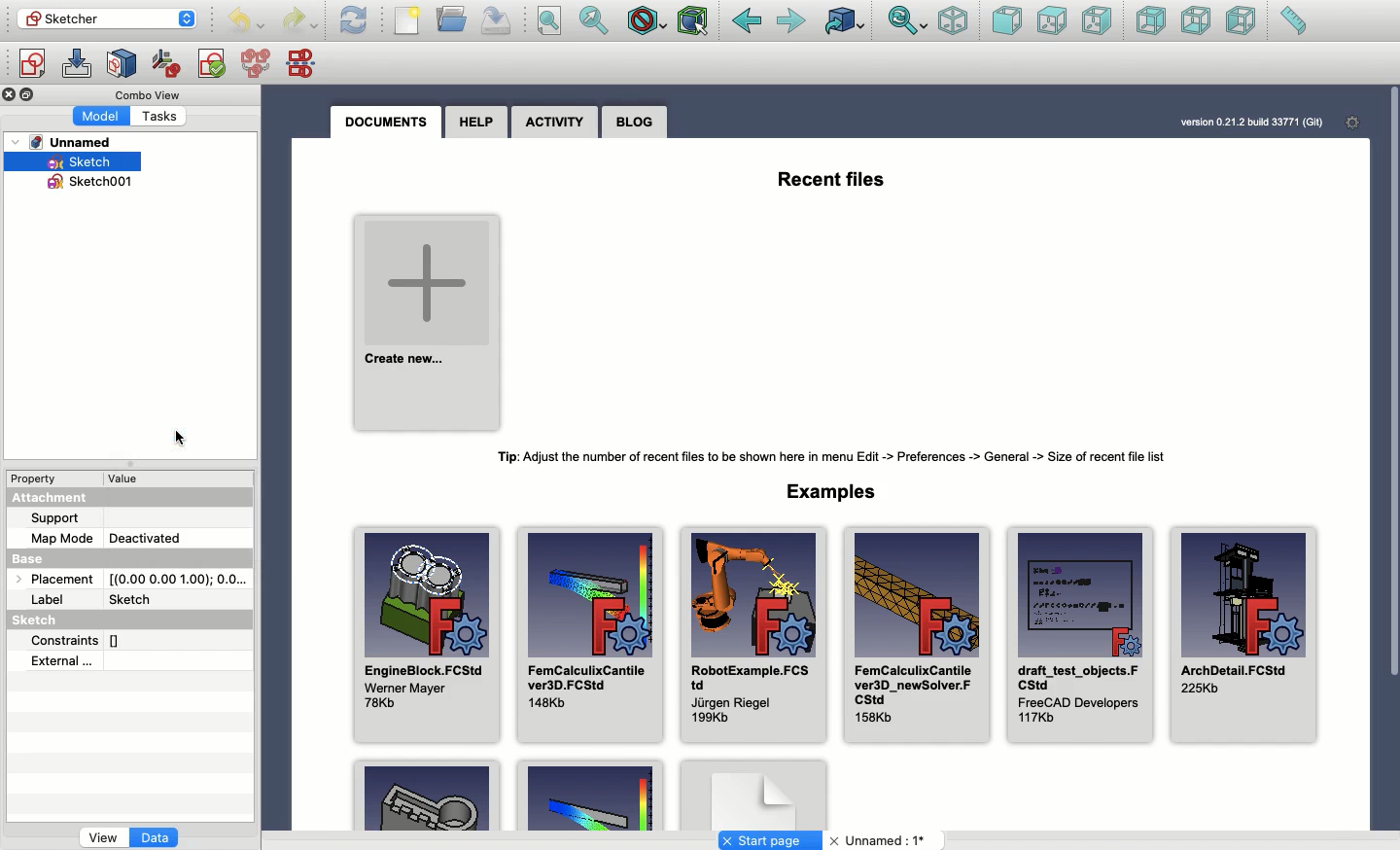  What do you see at coordinates (192, 13) in the screenshot?
I see `Up arrow` at bounding box center [192, 13].